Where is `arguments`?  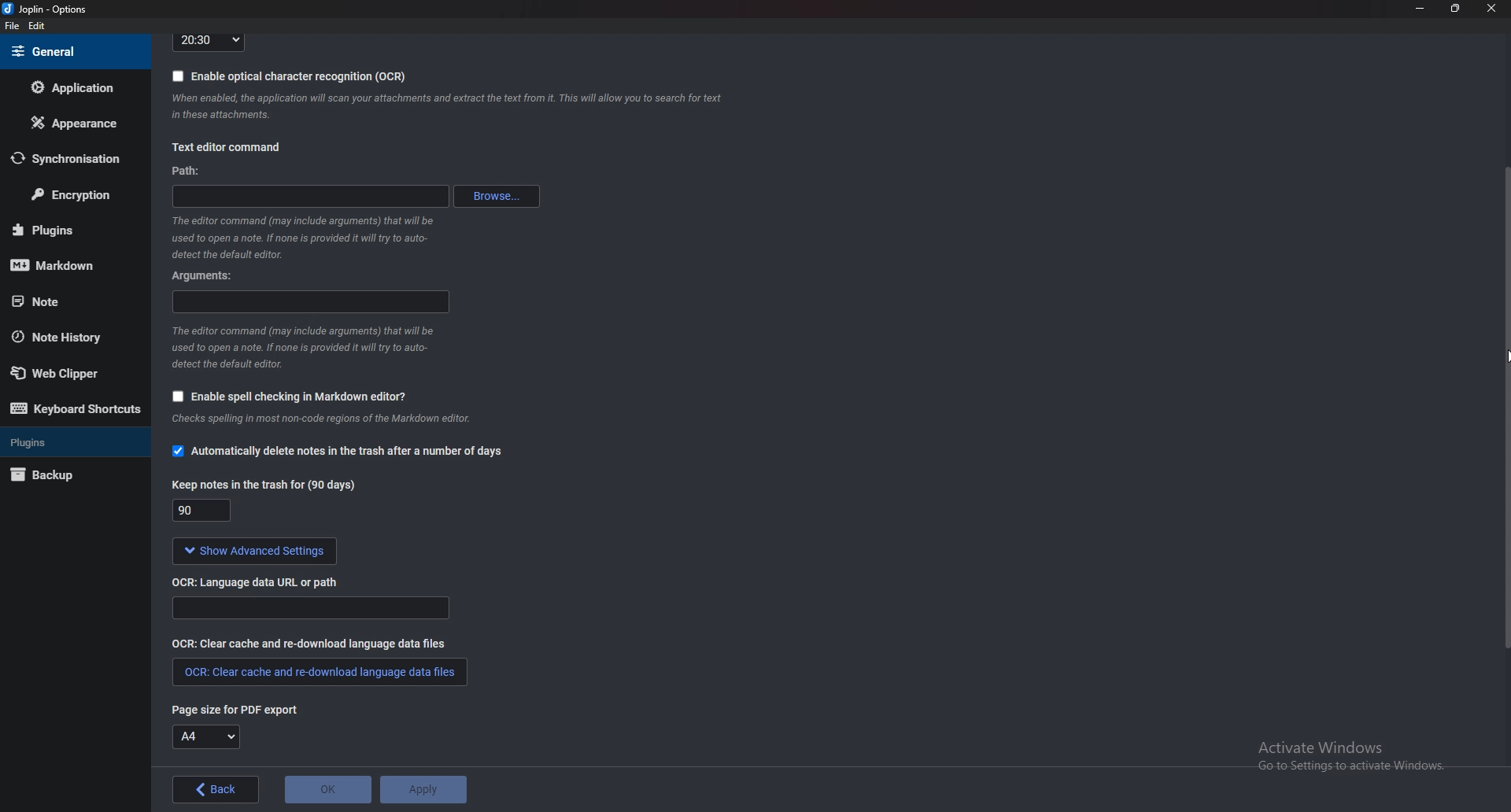
arguments is located at coordinates (313, 302).